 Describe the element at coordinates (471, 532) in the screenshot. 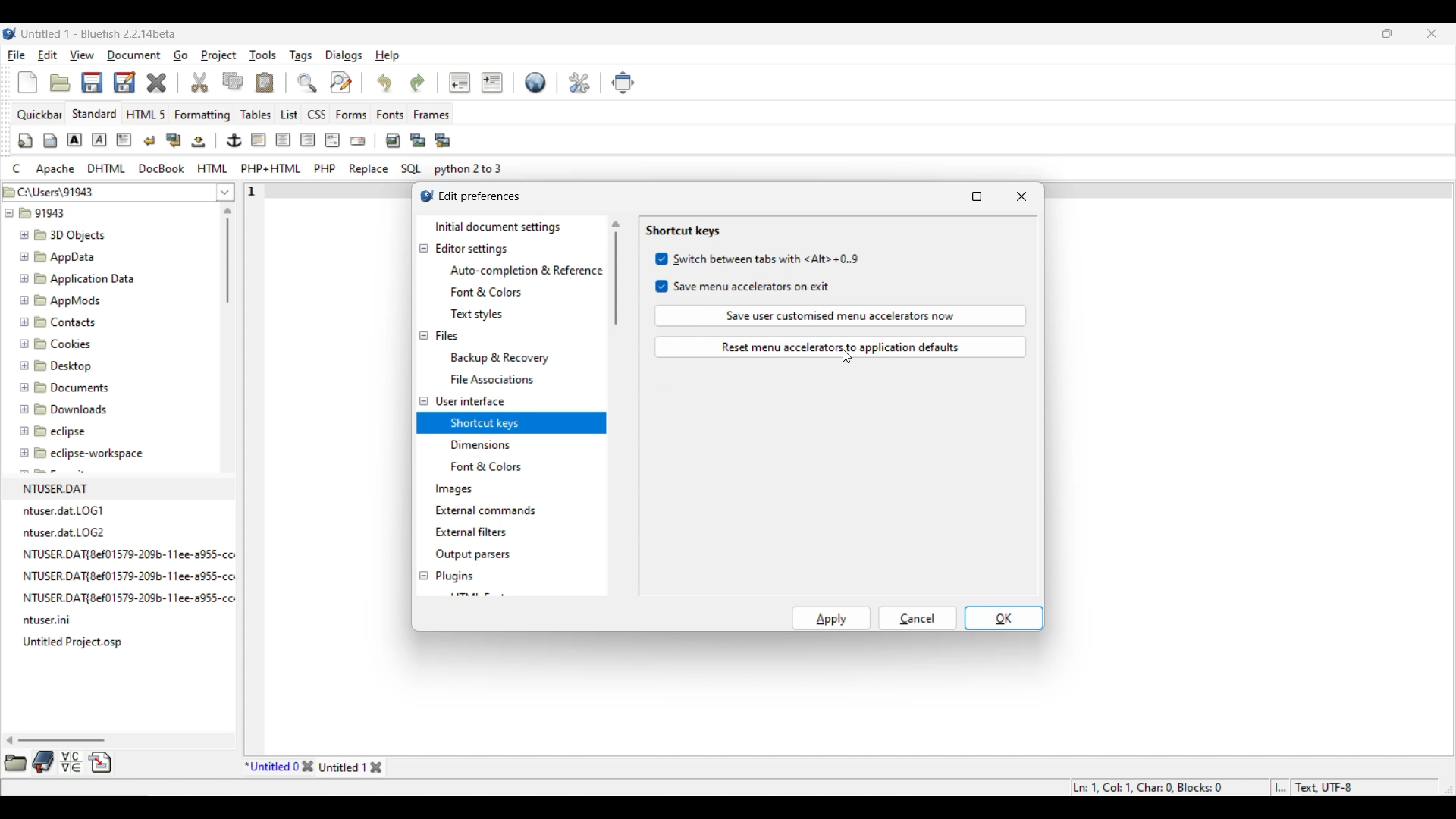

I see `External filters` at that location.